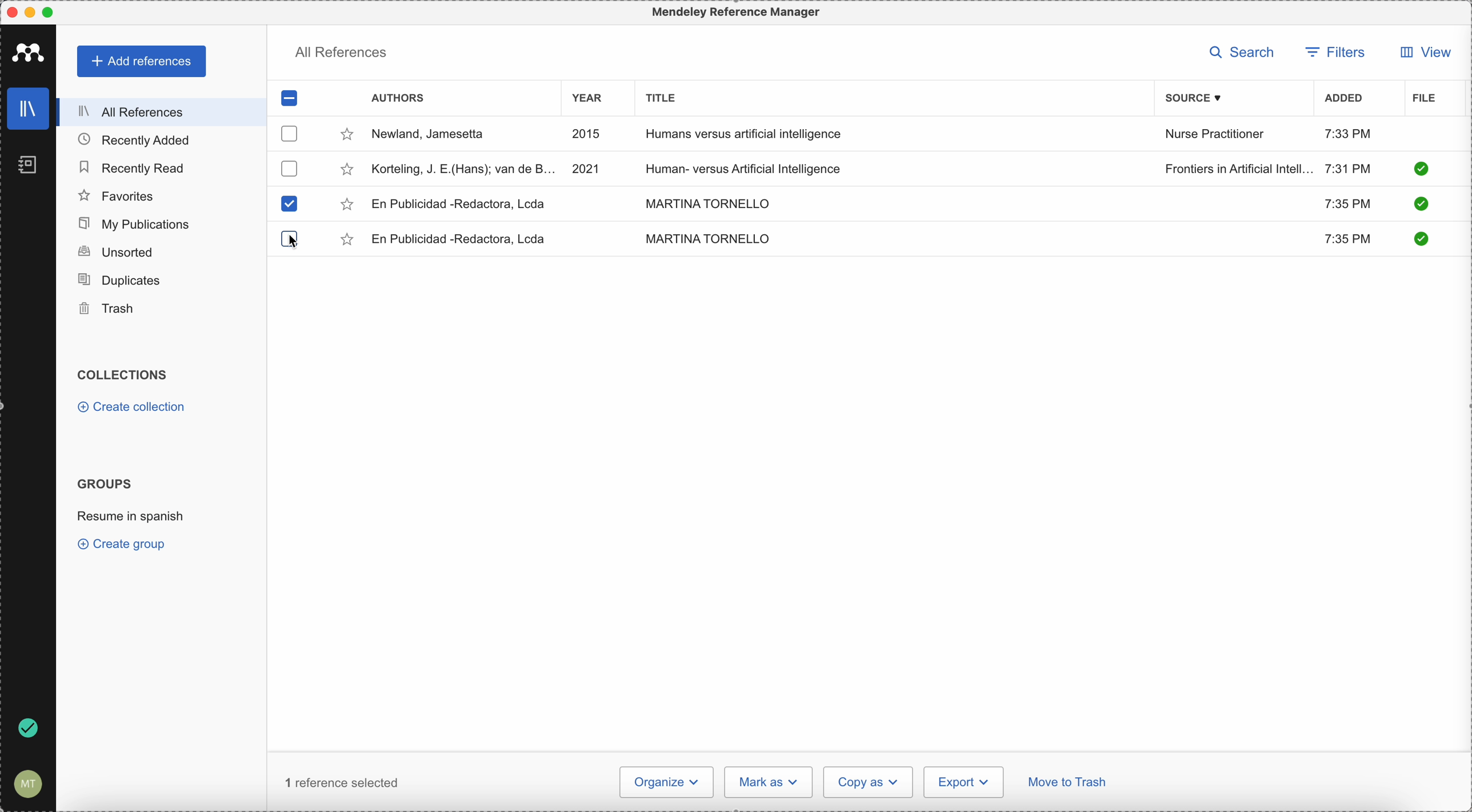  Describe the element at coordinates (341, 55) in the screenshot. I see `all references` at that location.